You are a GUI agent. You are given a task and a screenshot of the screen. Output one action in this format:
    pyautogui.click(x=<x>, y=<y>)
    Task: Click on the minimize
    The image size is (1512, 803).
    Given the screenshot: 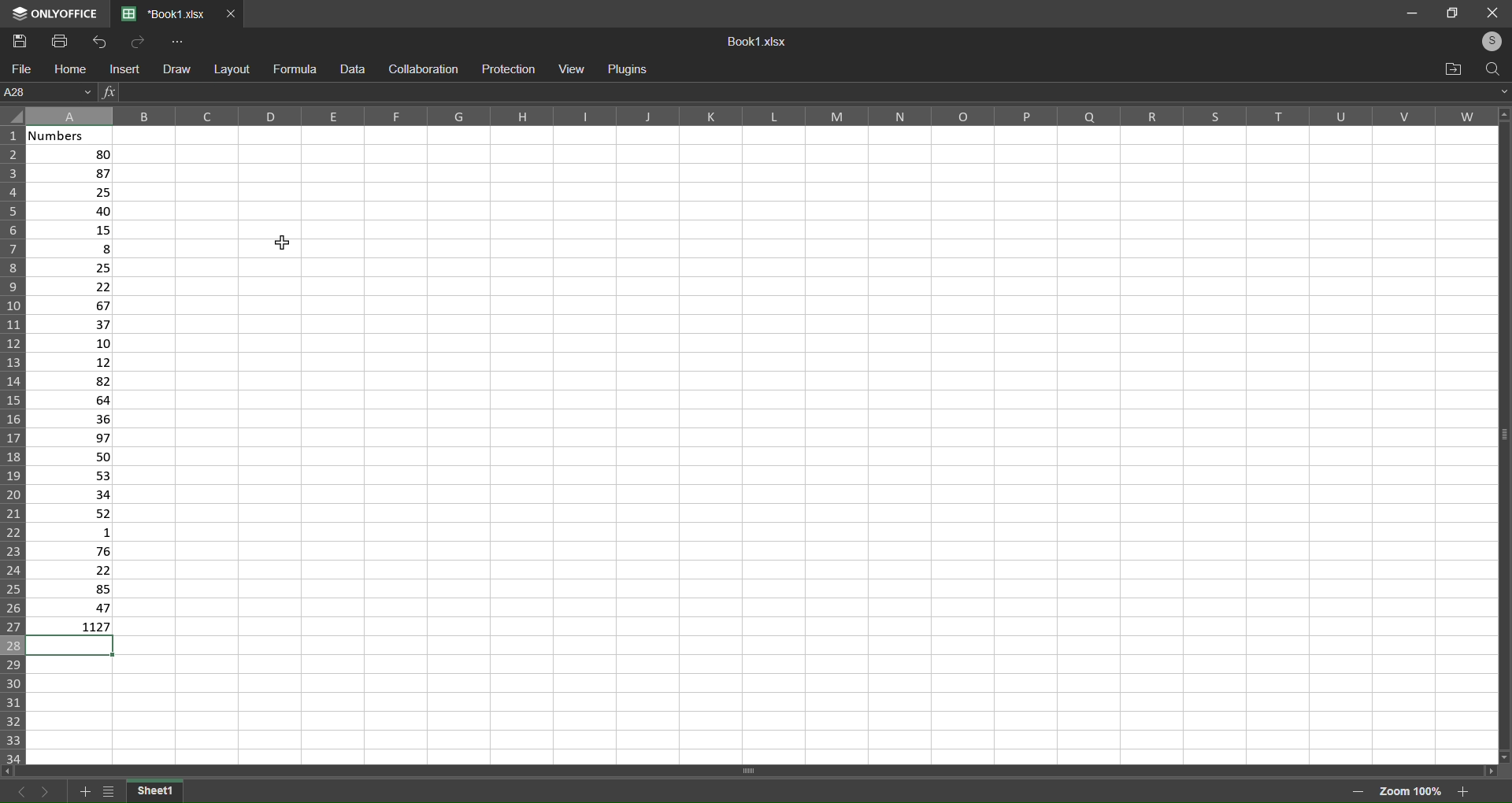 What is the action you would take?
    pyautogui.click(x=1409, y=12)
    